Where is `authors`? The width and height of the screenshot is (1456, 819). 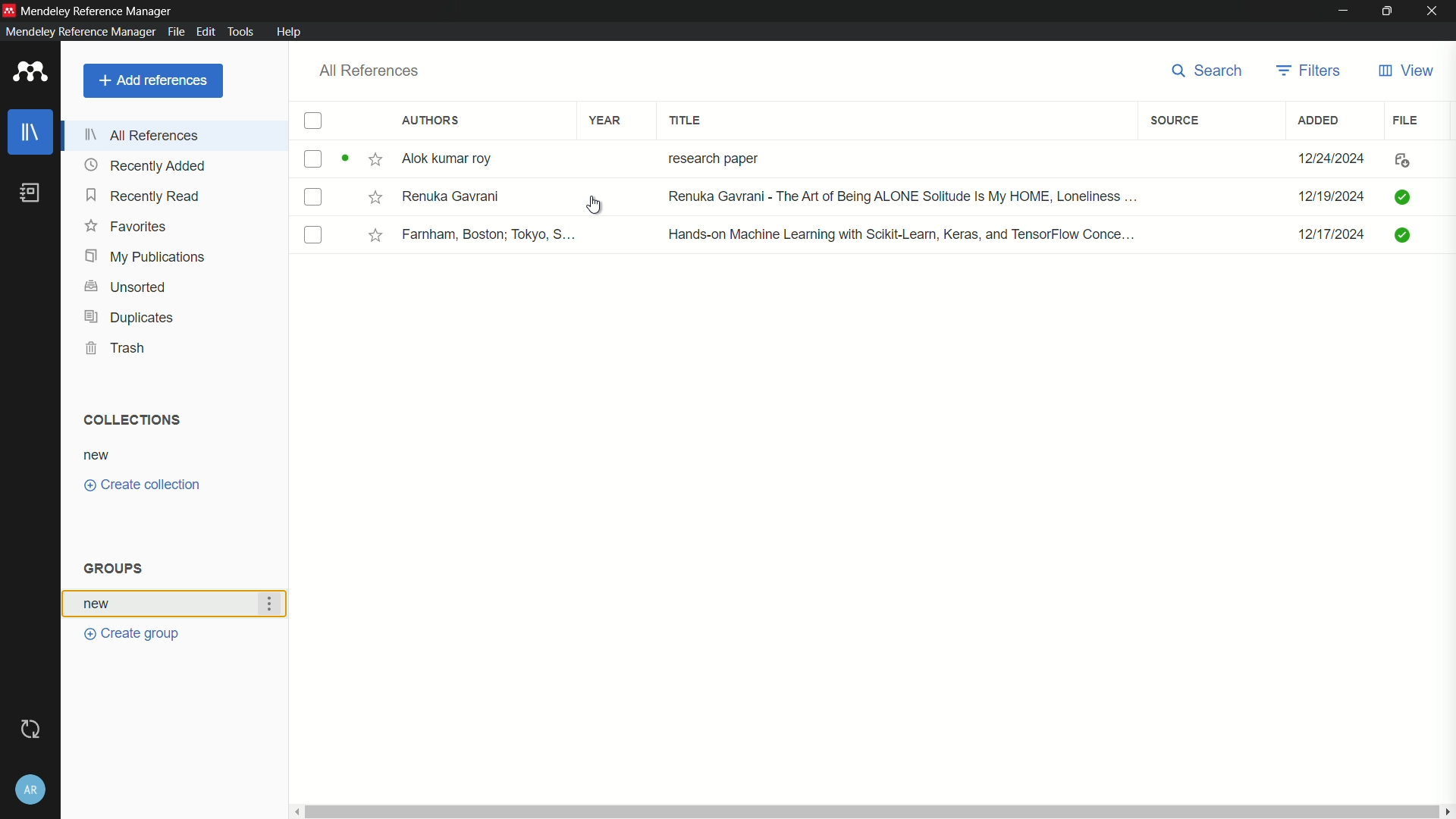
authors is located at coordinates (431, 121).